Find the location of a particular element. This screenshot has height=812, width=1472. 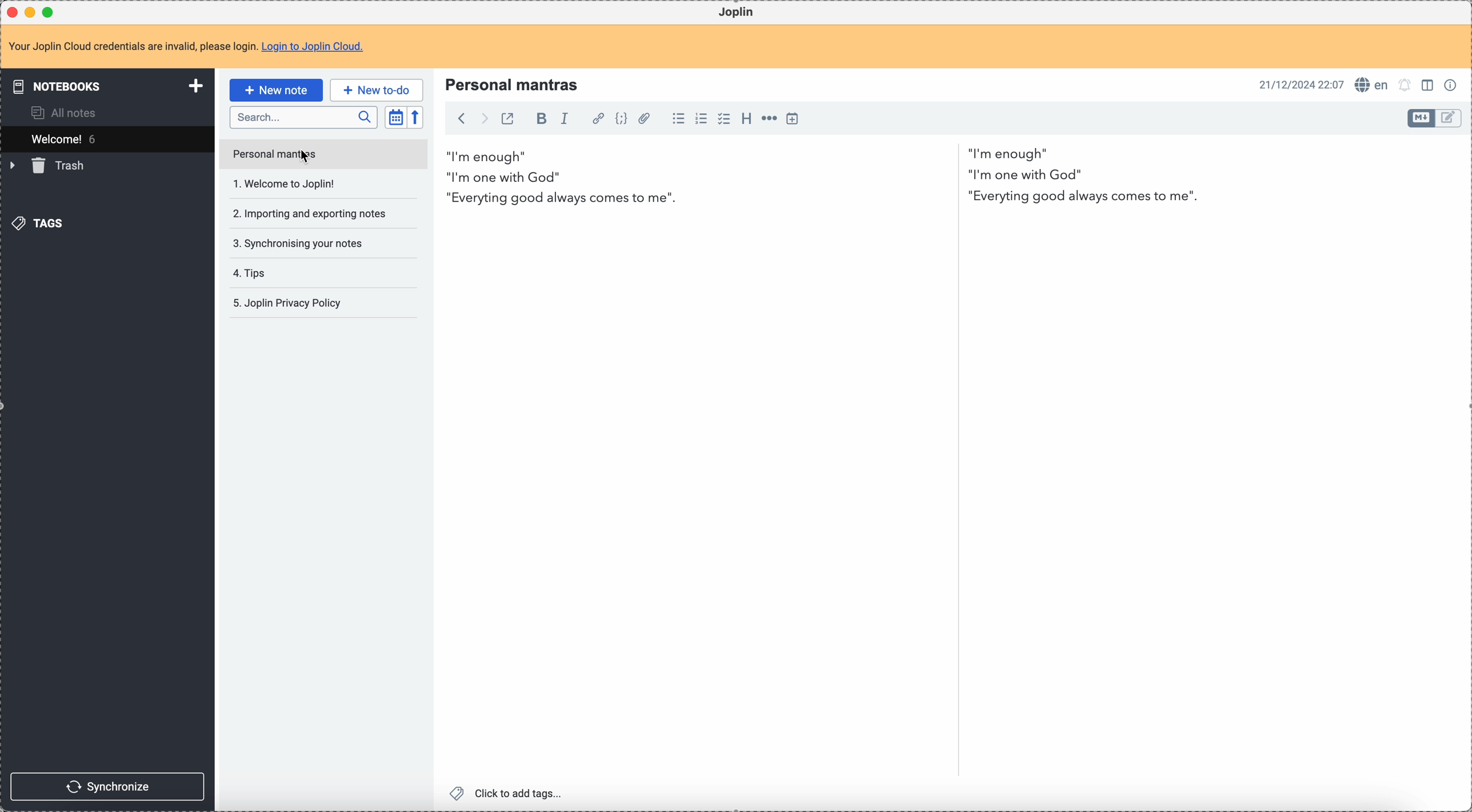

welcome is located at coordinates (107, 139).